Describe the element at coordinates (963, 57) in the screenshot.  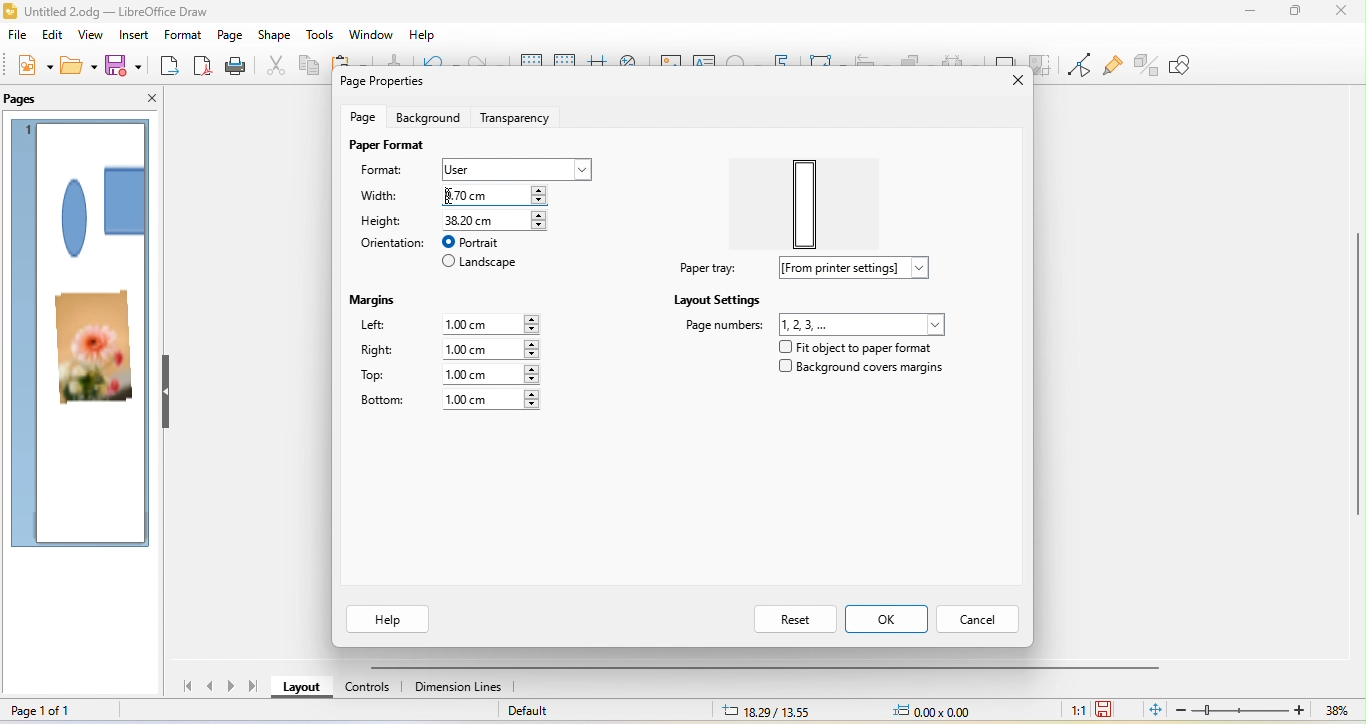
I see `select at least three object to distribute` at that location.